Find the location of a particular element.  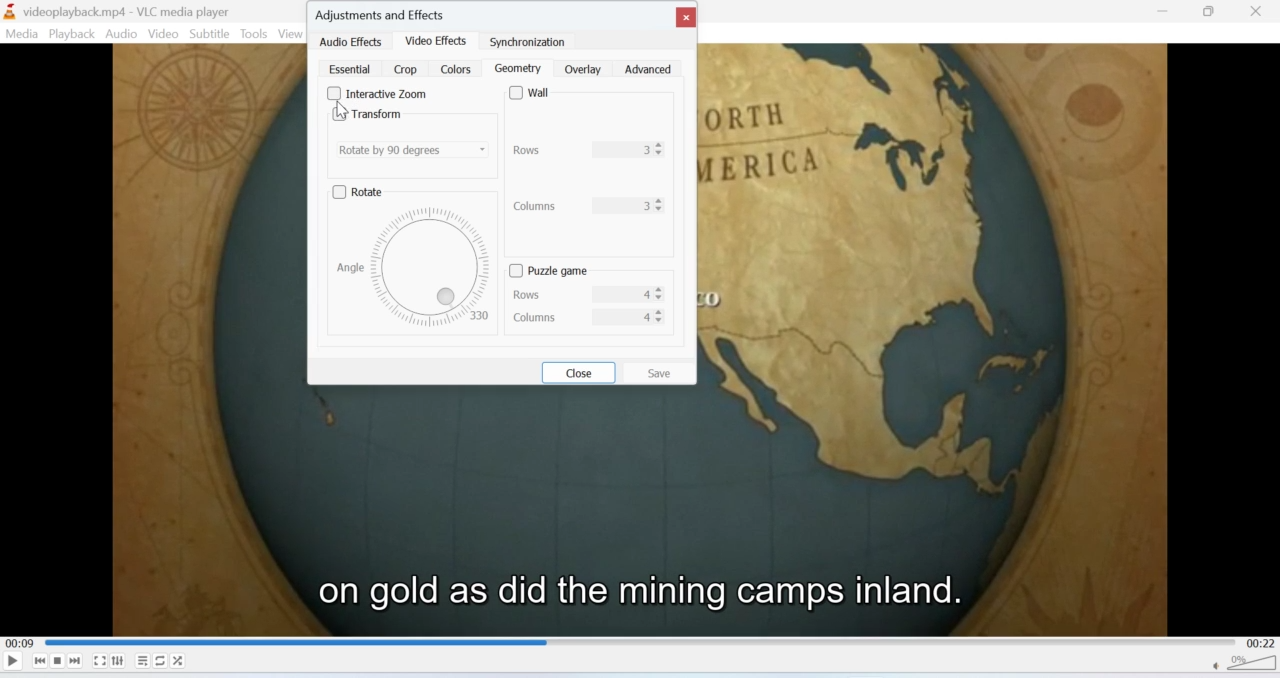

Video playback is located at coordinates (640, 521).